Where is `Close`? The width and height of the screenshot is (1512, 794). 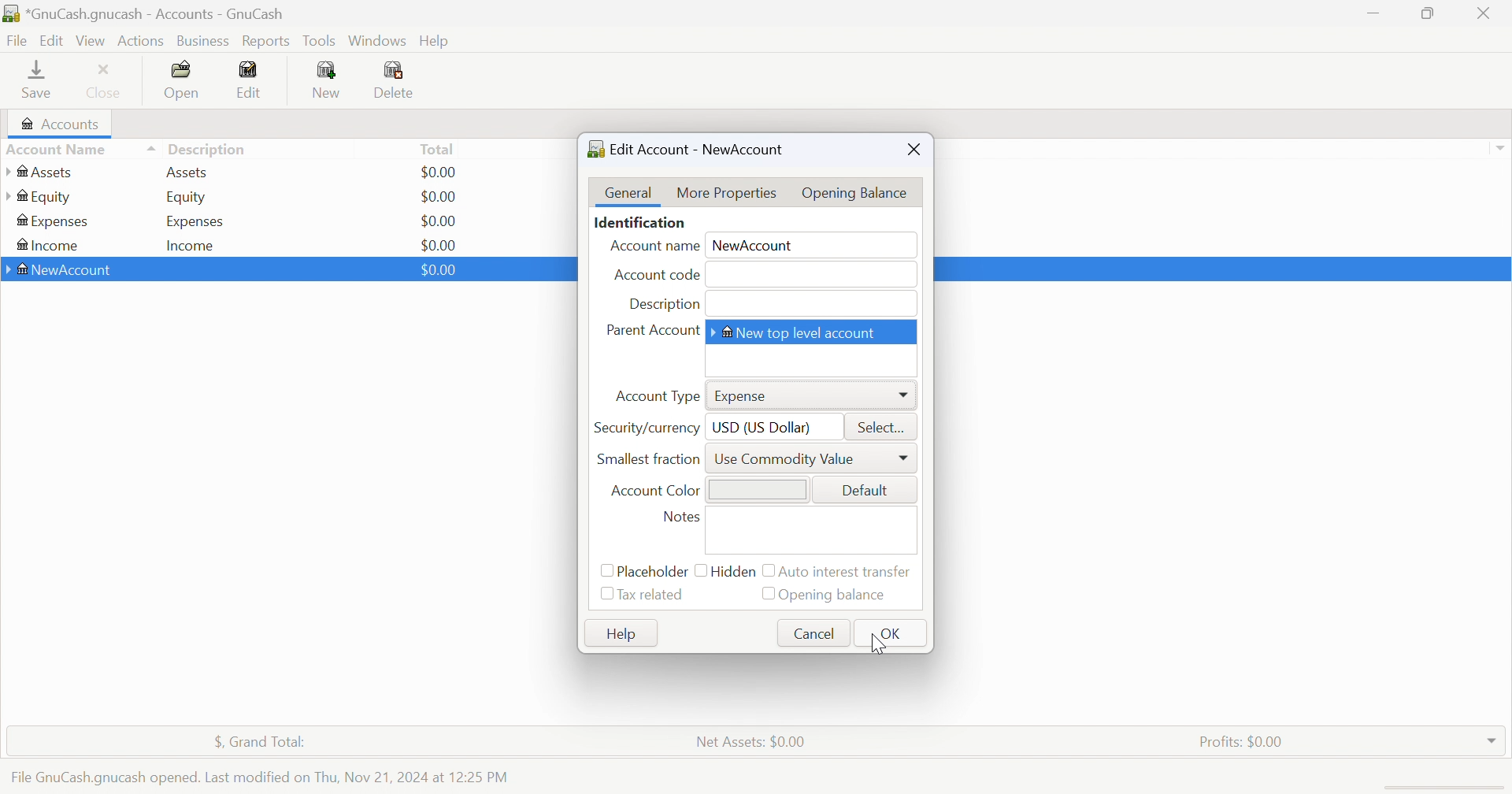 Close is located at coordinates (914, 149).